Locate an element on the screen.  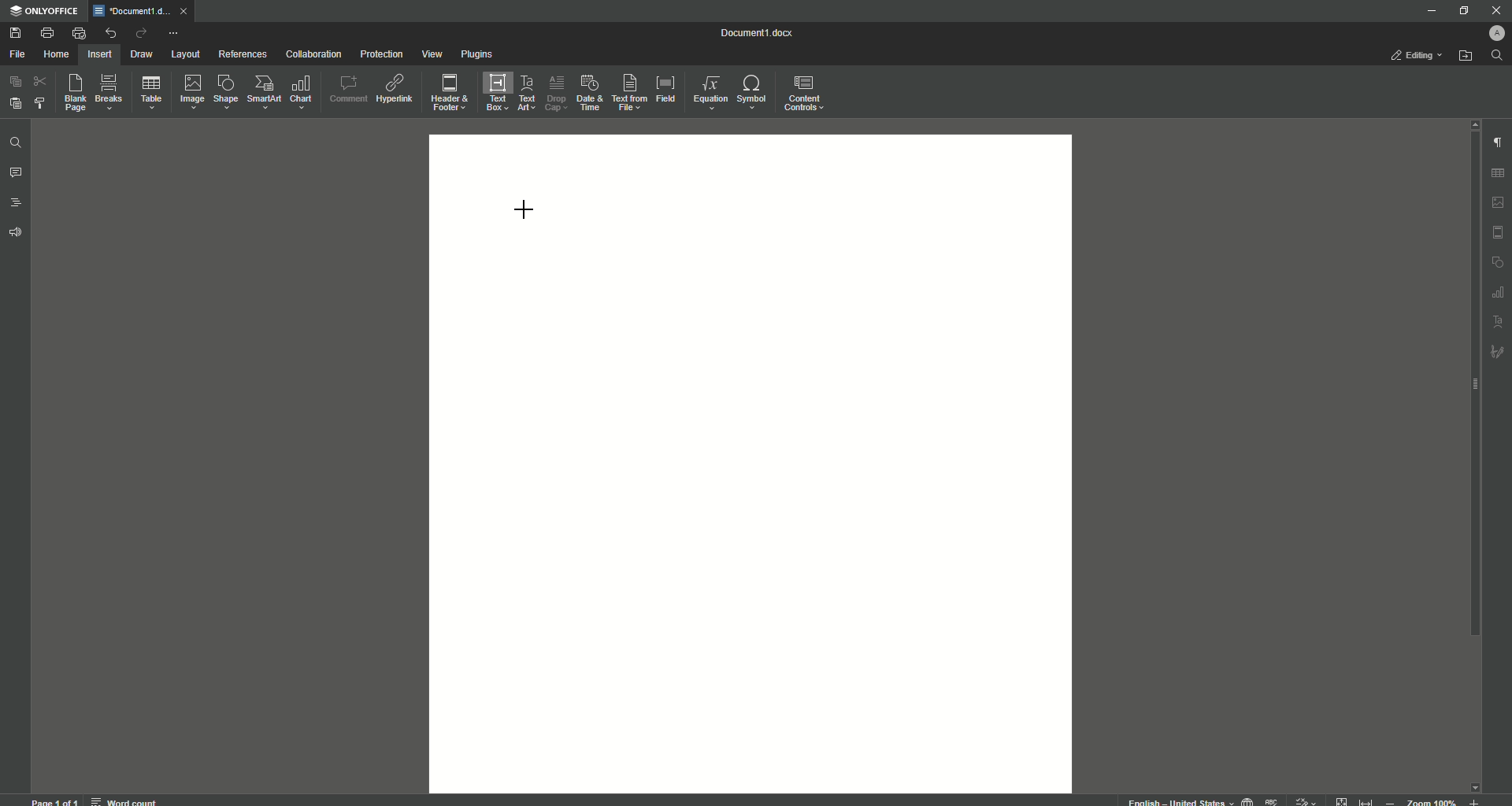
Quick Print is located at coordinates (79, 33).